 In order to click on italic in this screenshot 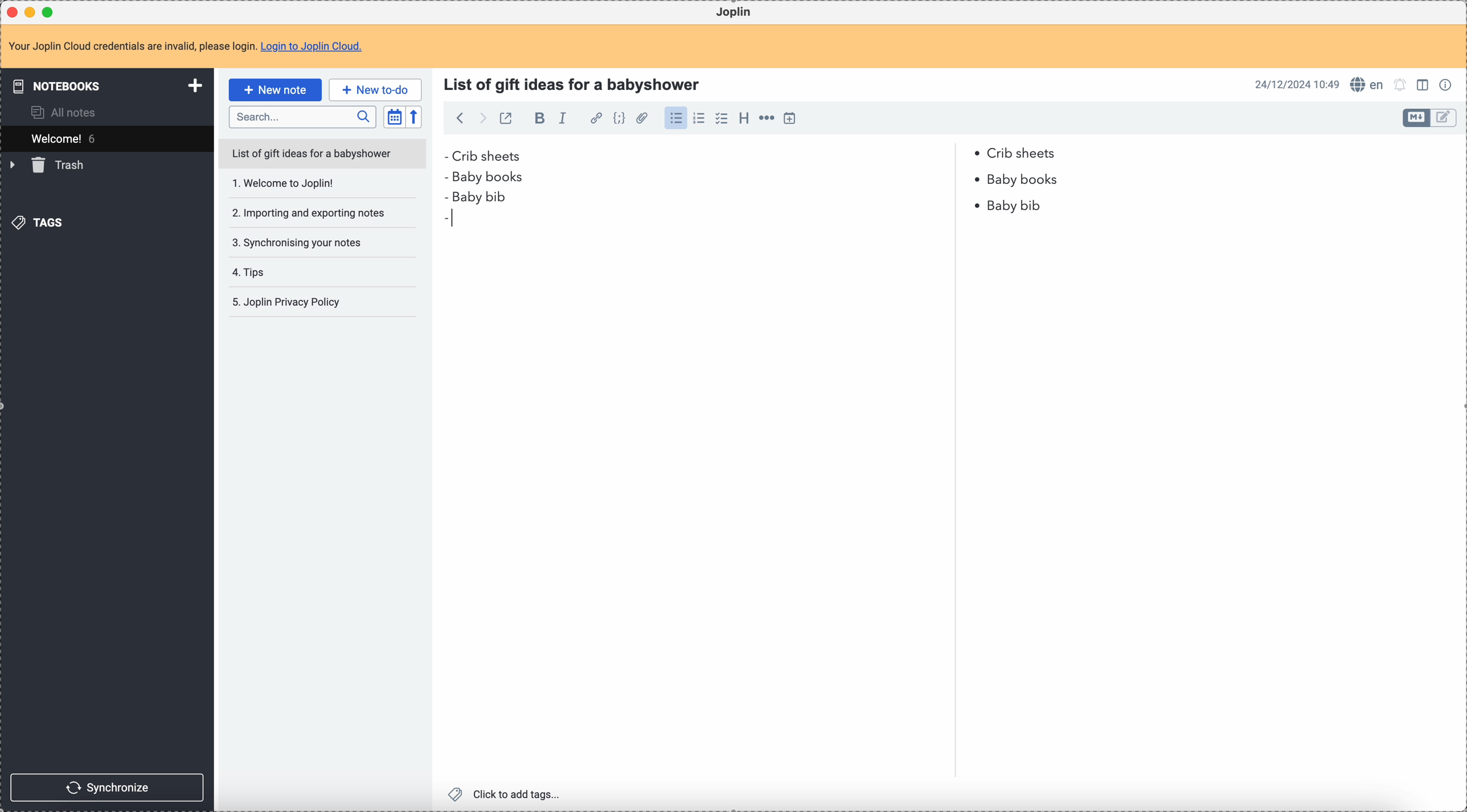, I will do `click(564, 119)`.